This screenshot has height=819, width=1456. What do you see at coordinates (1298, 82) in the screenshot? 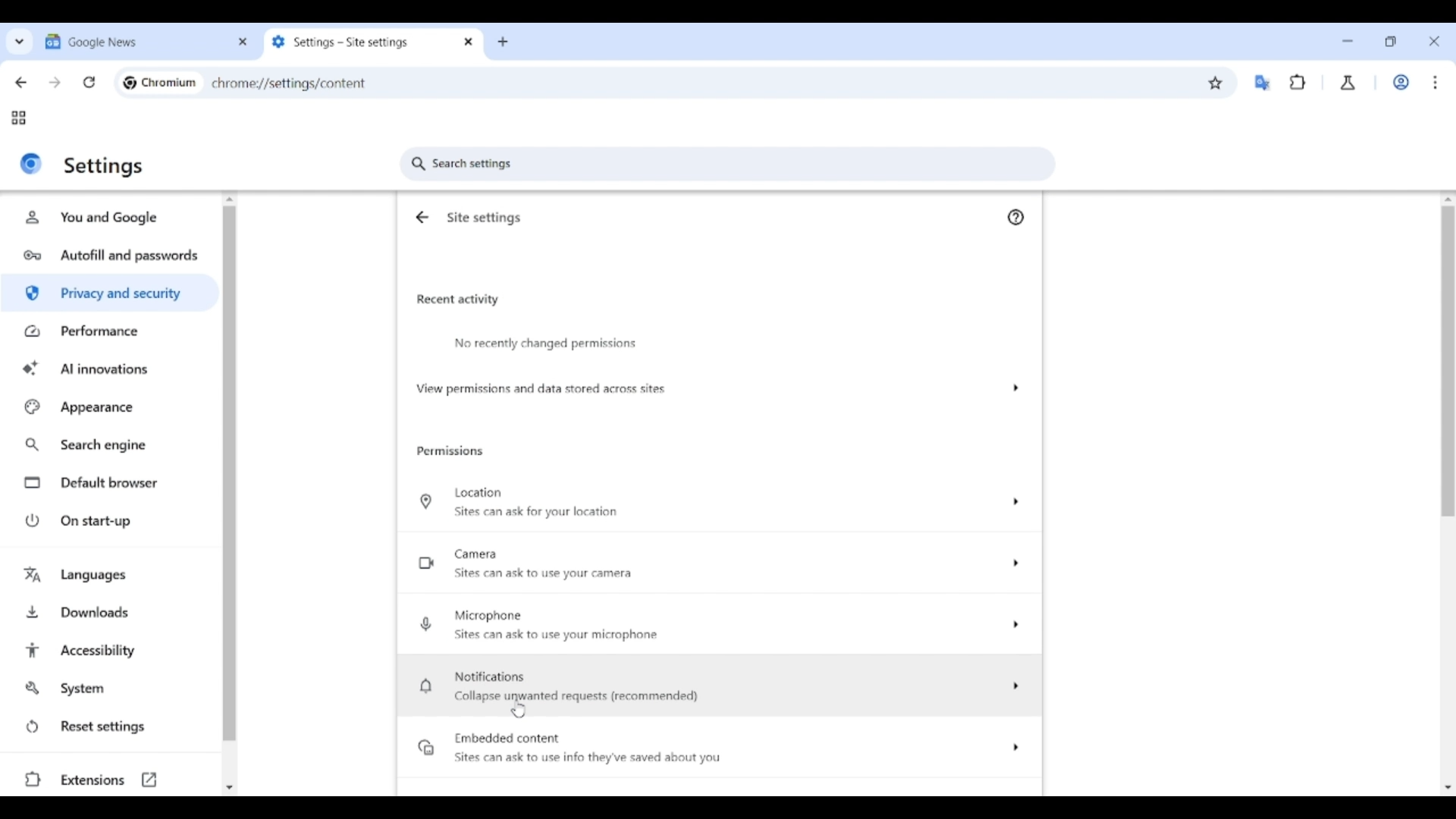
I see `Browser extensions` at bounding box center [1298, 82].